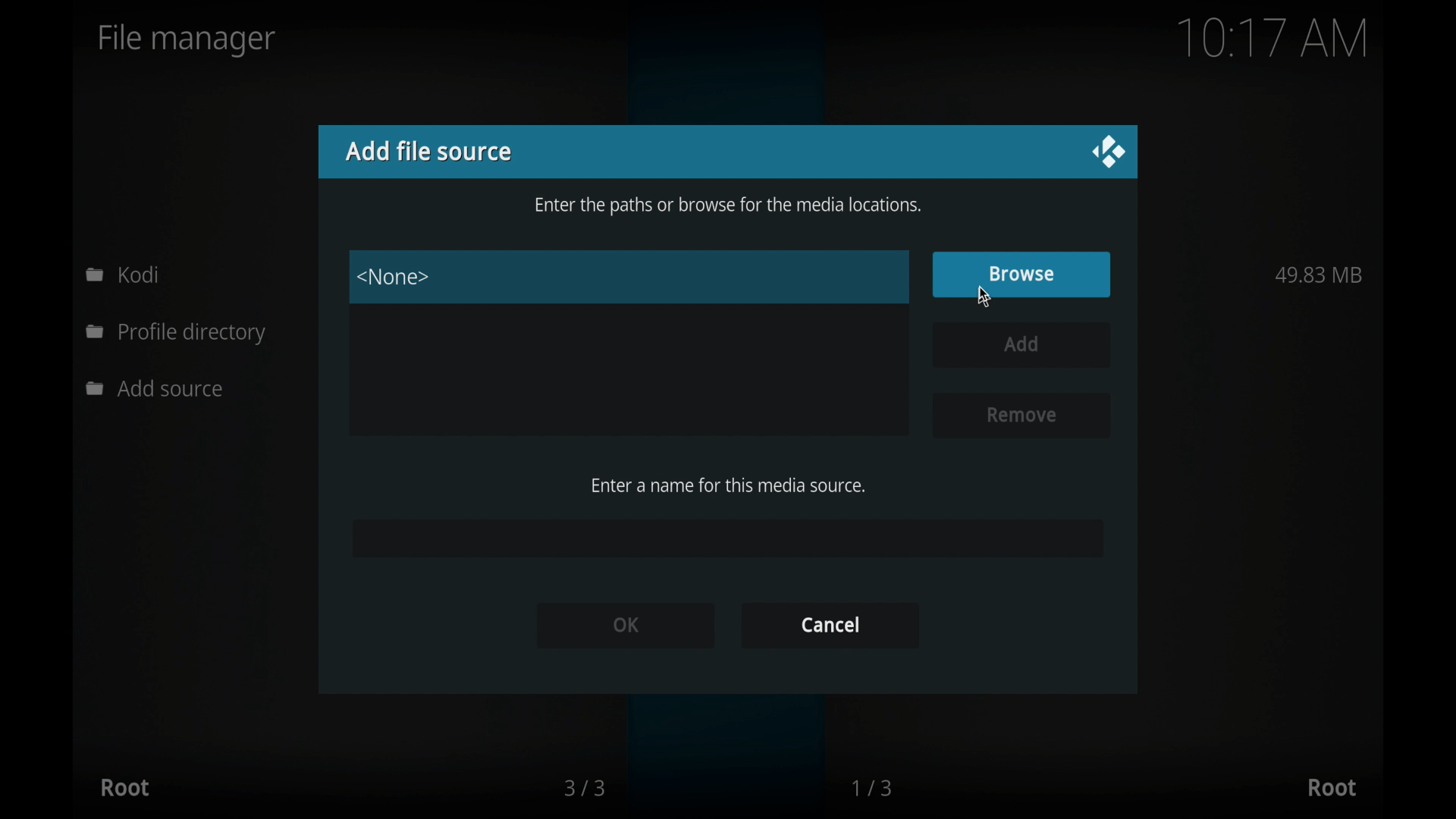  Describe the element at coordinates (1021, 275) in the screenshot. I see `browse` at that location.